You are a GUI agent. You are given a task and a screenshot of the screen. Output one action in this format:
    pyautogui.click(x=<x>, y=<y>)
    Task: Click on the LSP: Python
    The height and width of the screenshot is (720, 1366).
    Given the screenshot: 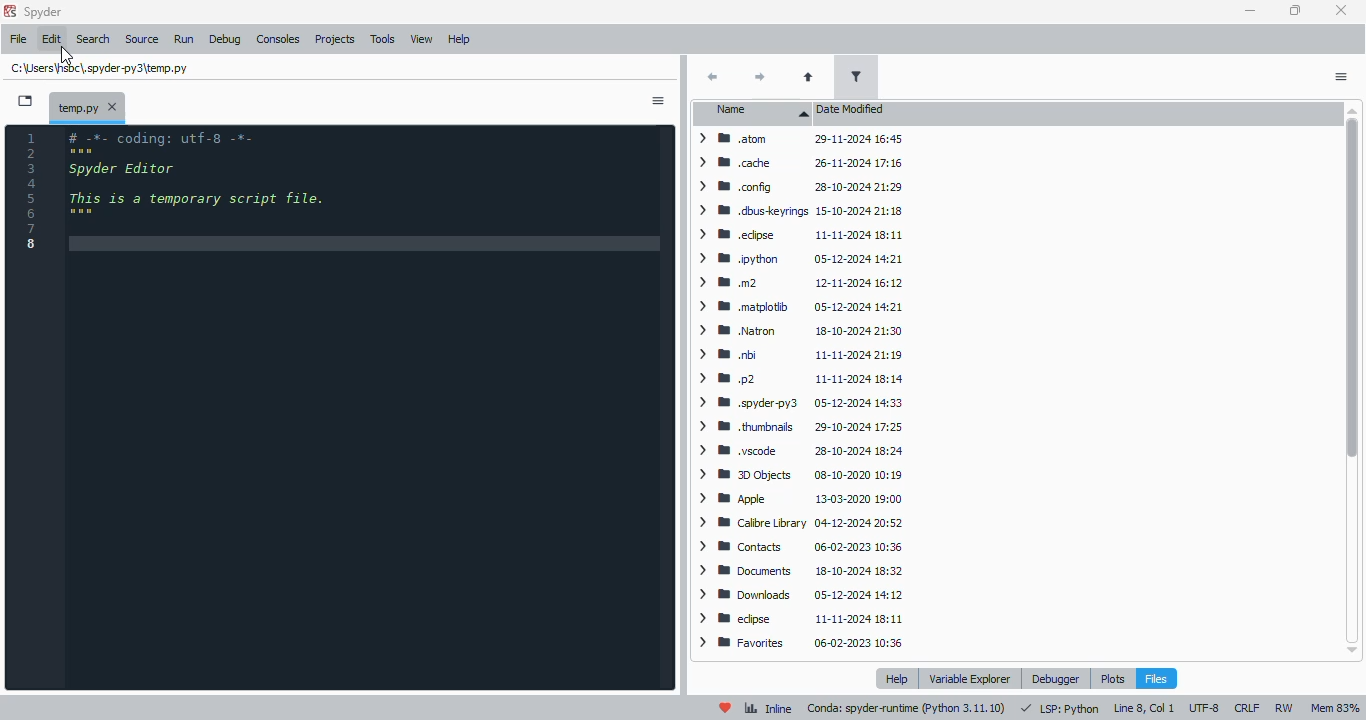 What is the action you would take?
    pyautogui.click(x=1061, y=708)
    